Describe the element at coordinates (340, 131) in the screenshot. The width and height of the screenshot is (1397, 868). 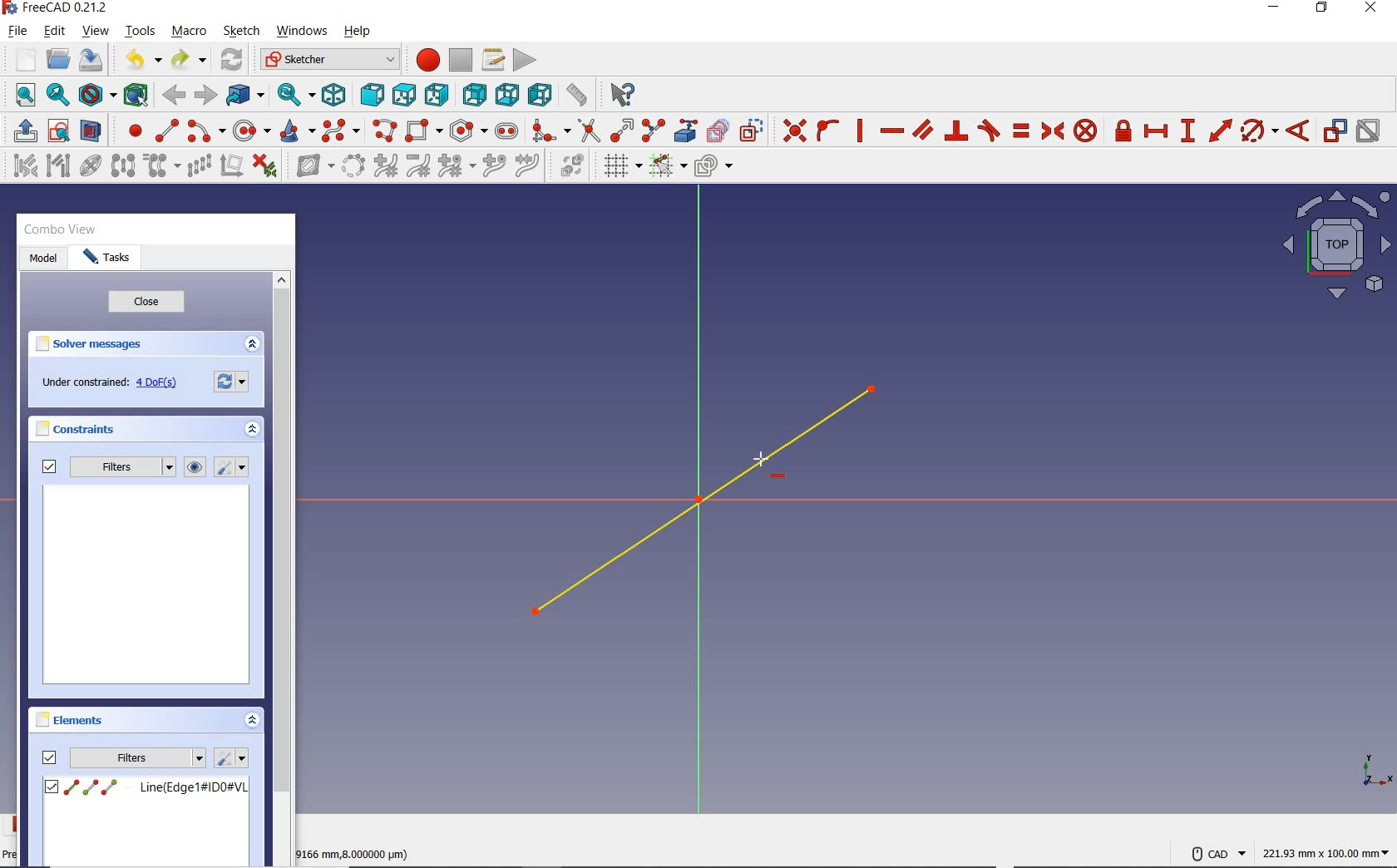
I see `CREATE B-SPLINE` at that location.